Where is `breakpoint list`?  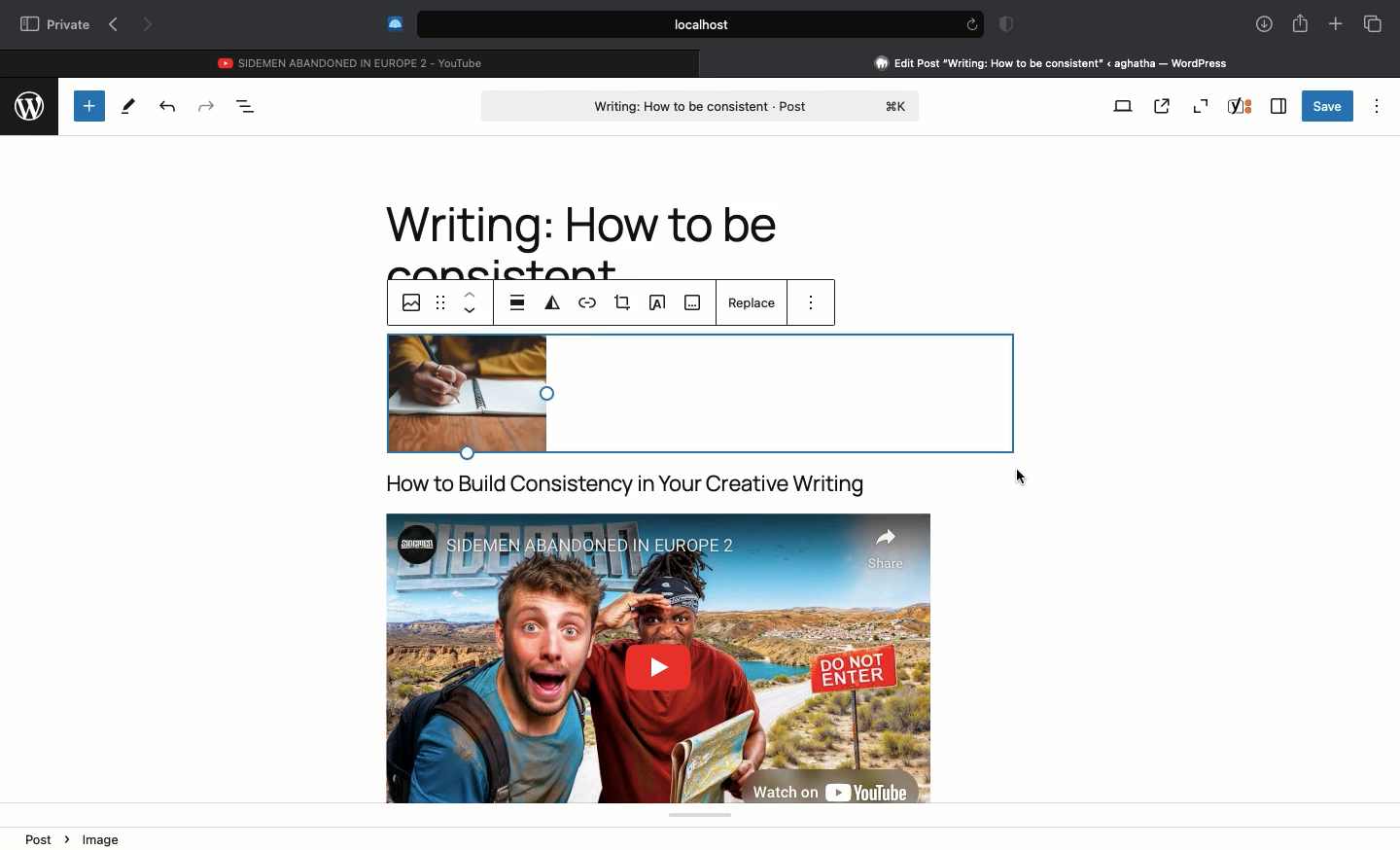 breakpoint list is located at coordinates (518, 301).